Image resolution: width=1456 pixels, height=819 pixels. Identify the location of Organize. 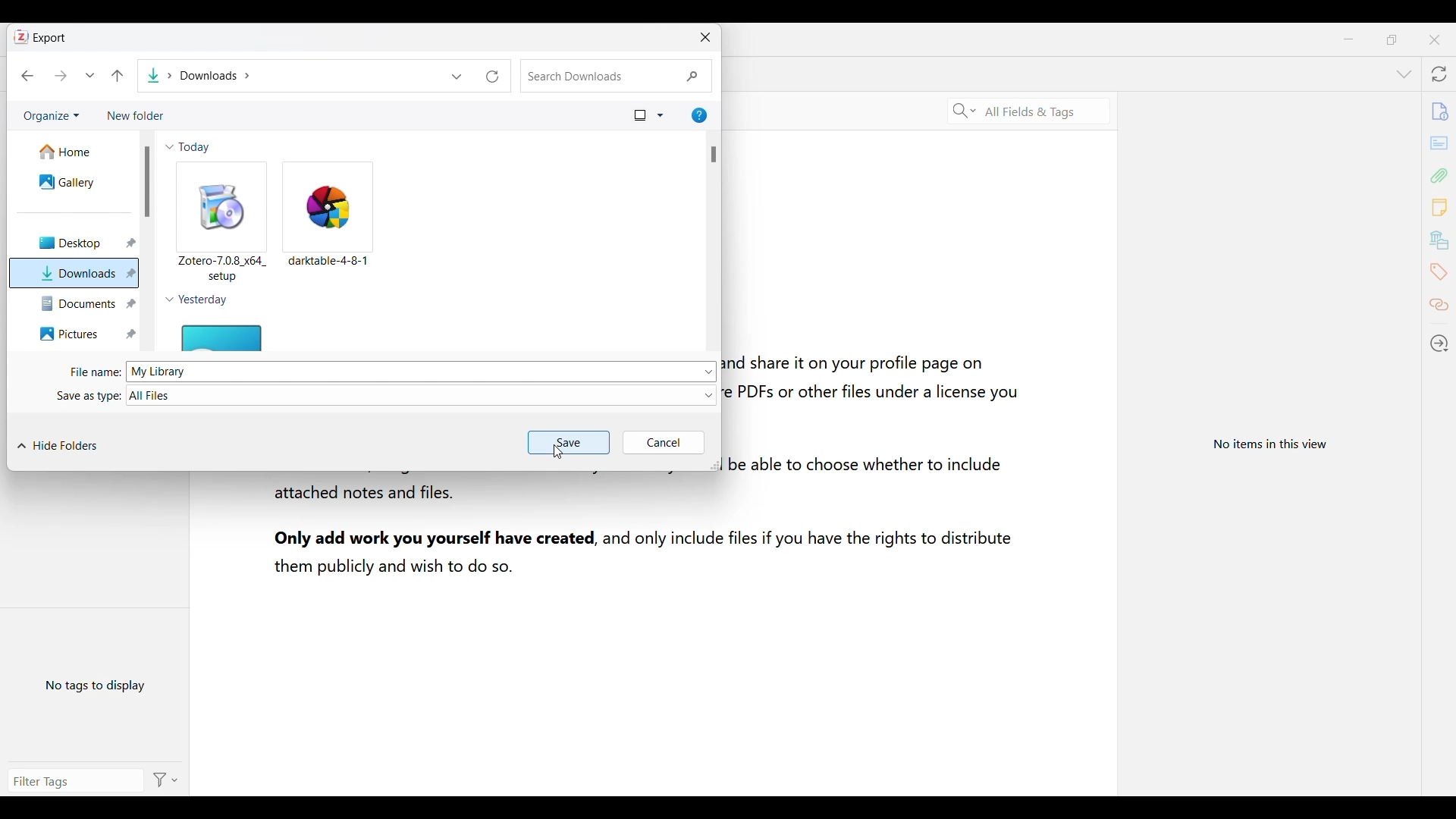
(51, 117).